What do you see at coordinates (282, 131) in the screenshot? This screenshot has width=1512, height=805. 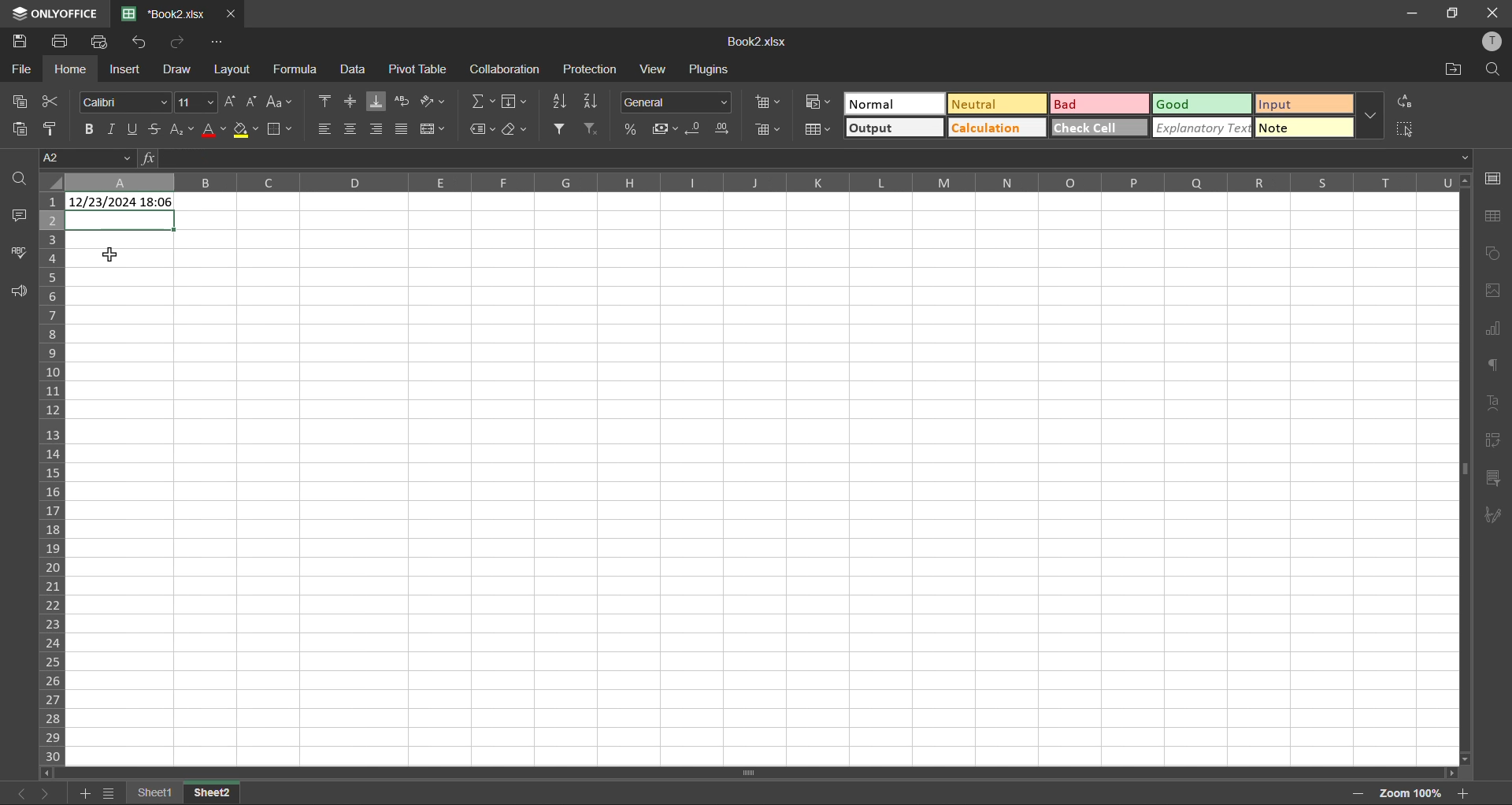 I see `borders` at bounding box center [282, 131].